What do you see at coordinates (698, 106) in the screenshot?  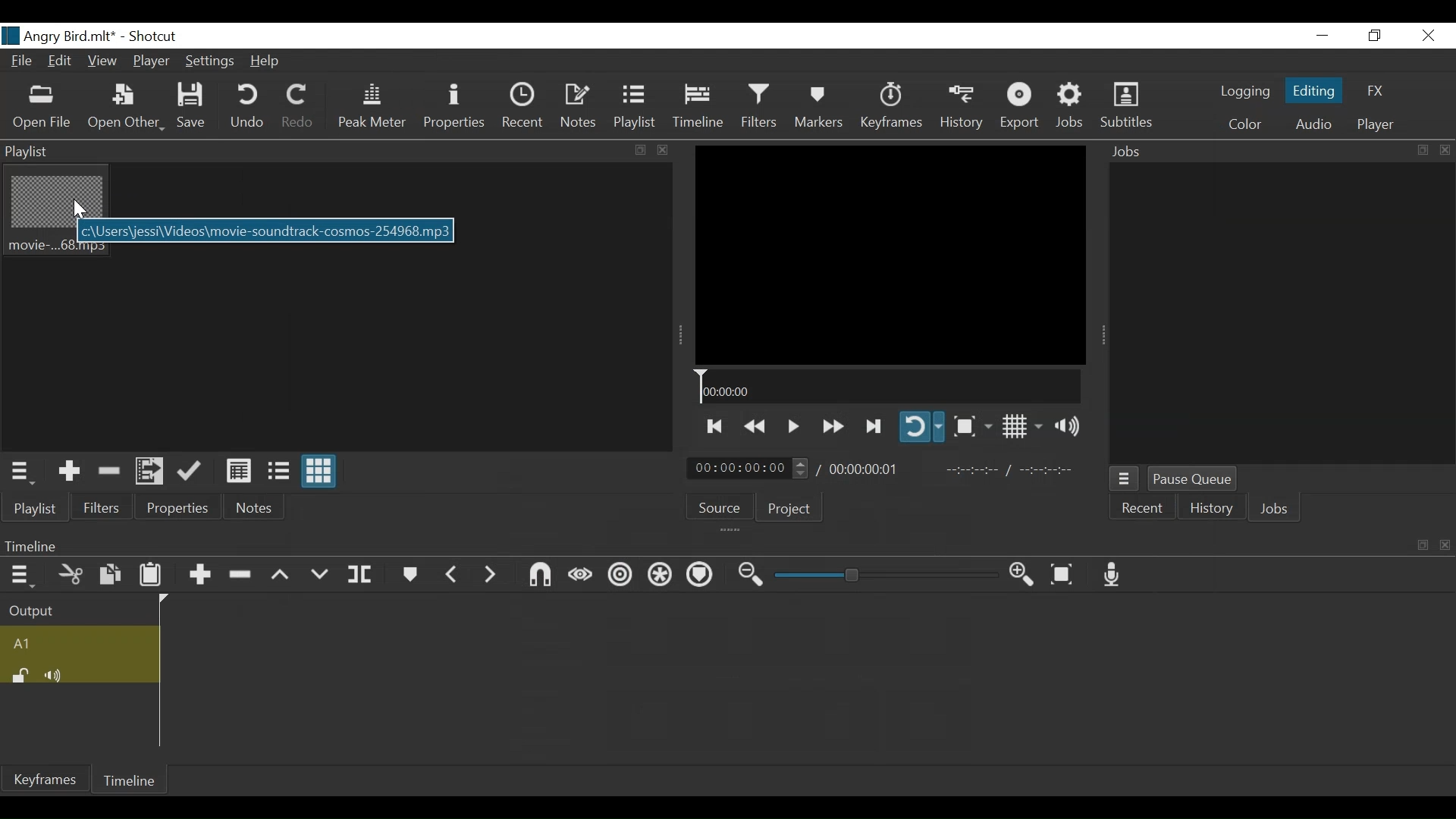 I see `Timeline` at bounding box center [698, 106].